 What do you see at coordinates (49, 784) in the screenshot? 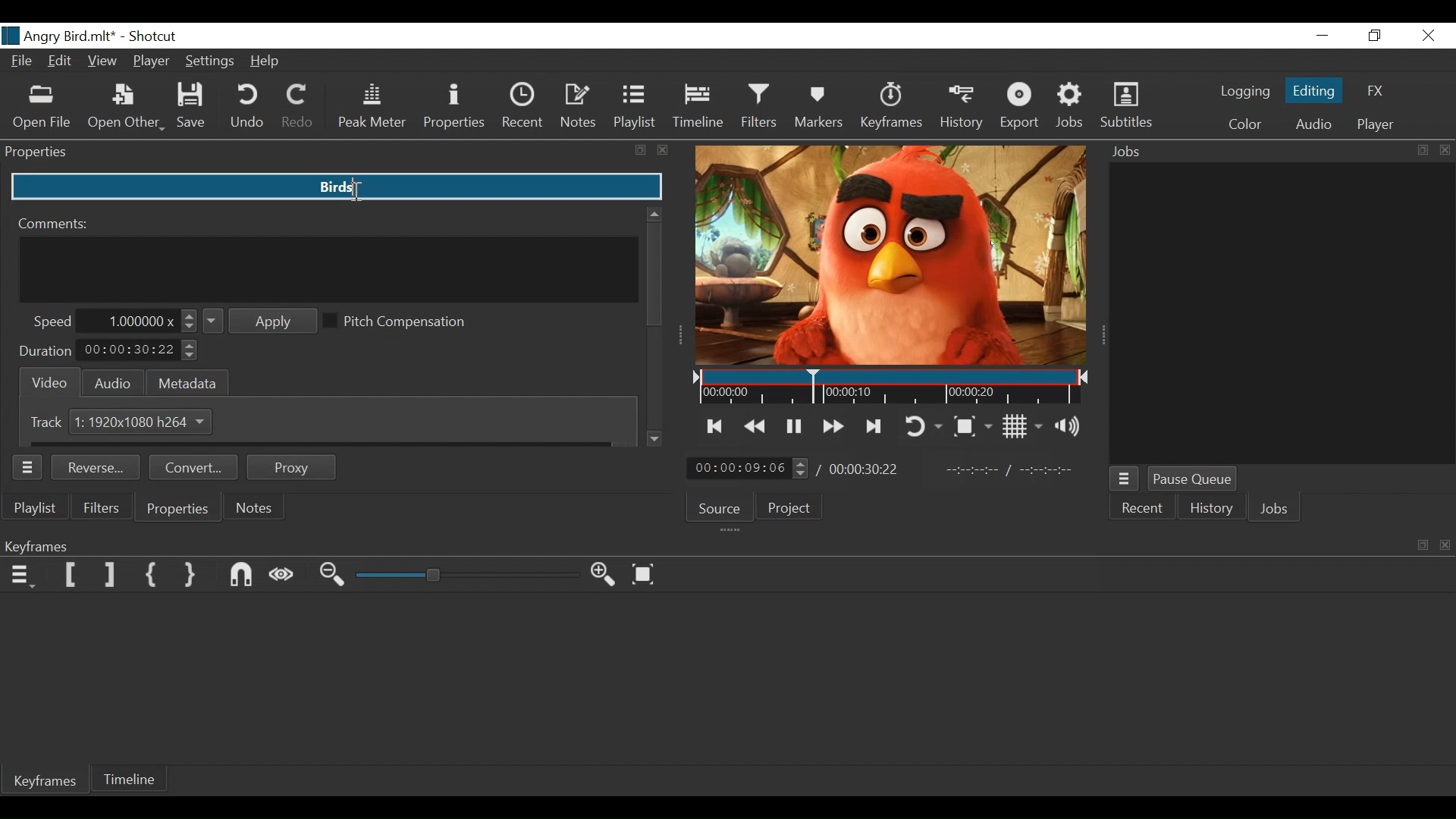
I see `Keyframe` at bounding box center [49, 784].